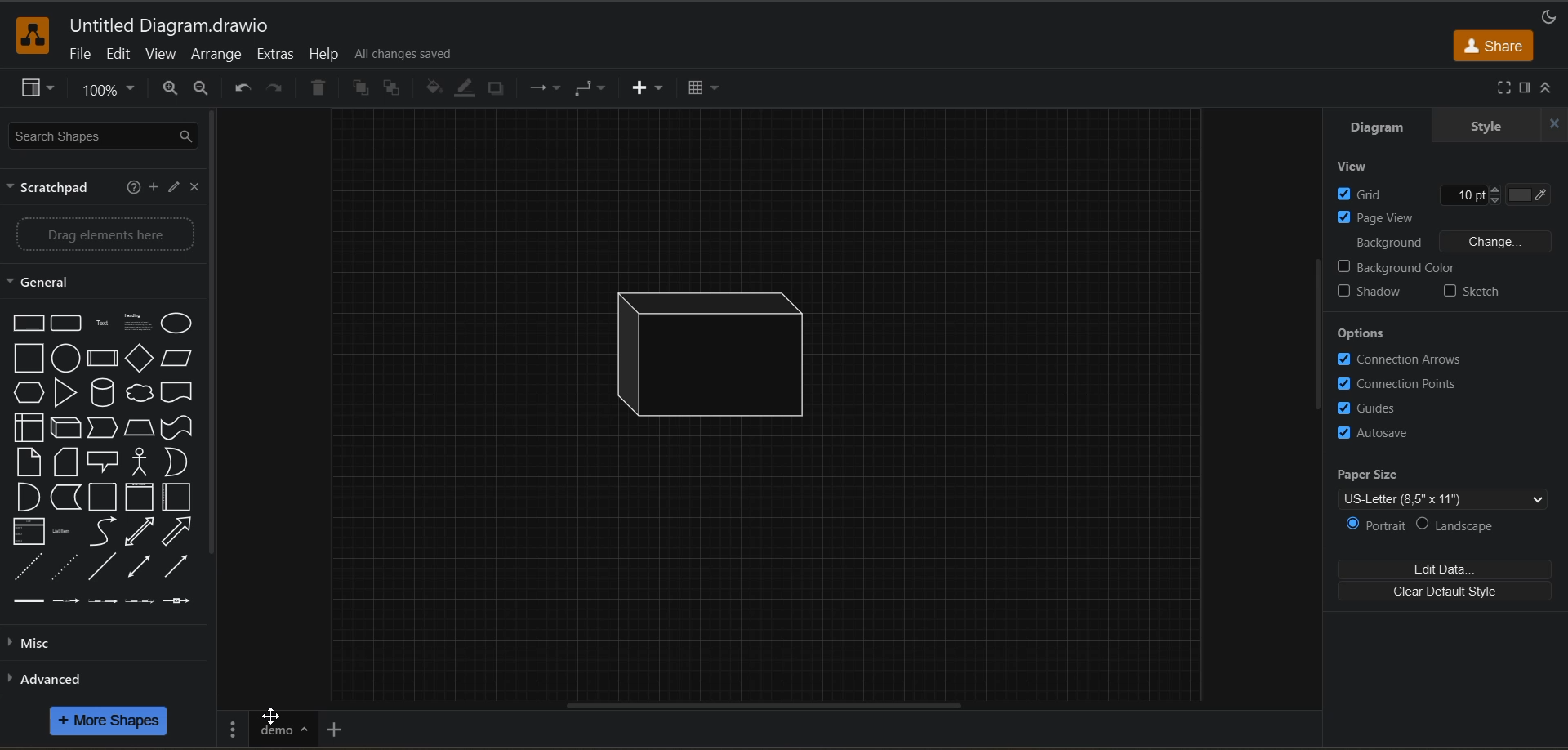 This screenshot has width=1568, height=750. What do you see at coordinates (363, 92) in the screenshot?
I see `to front` at bounding box center [363, 92].